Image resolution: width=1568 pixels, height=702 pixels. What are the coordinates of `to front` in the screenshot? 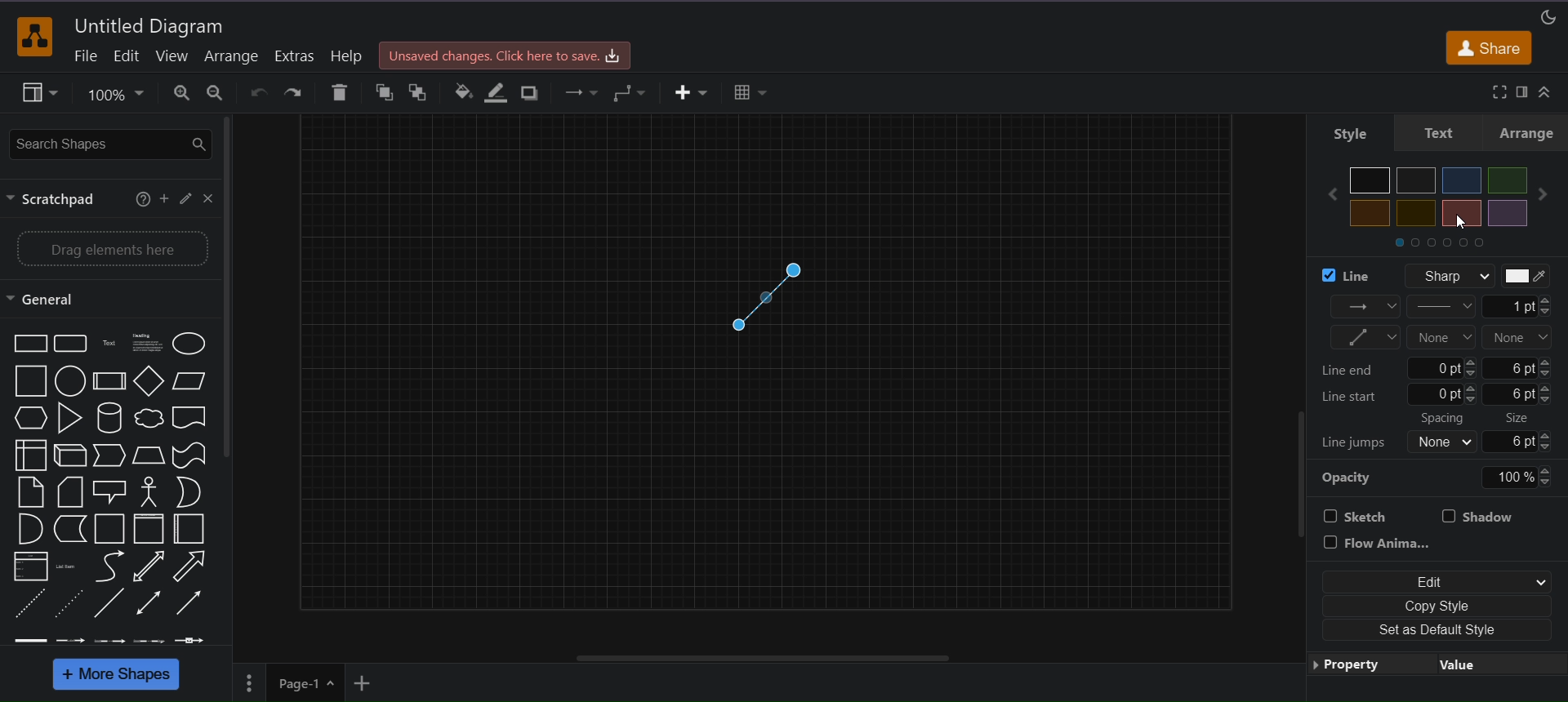 It's located at (384, 92).